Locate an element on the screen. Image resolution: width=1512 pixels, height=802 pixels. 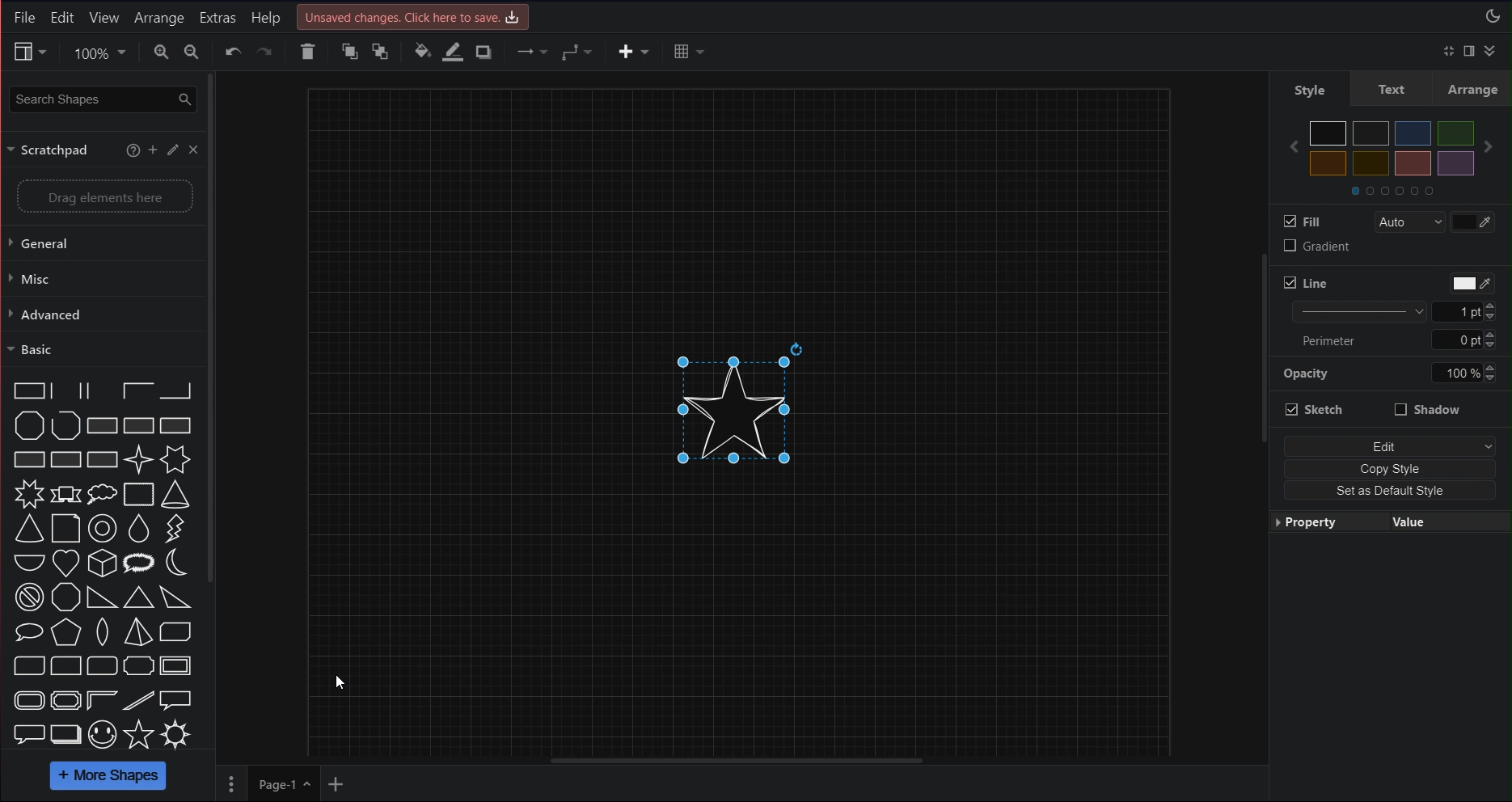
Shadow is located at coordinates (483, 52).